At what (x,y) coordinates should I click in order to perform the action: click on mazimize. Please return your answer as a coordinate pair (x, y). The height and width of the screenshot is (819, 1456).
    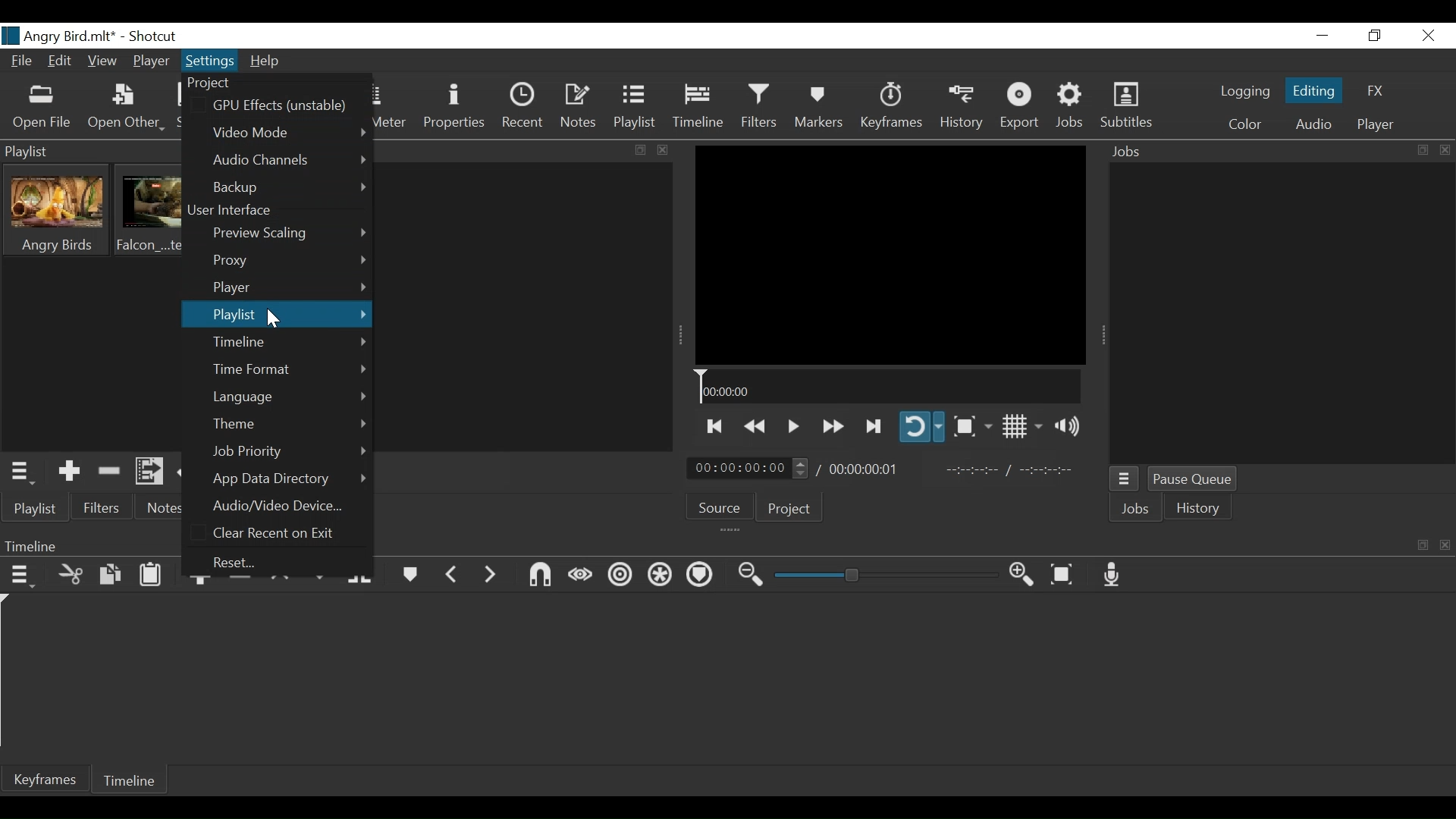
    Looking at the image, I should click on (637, 150).